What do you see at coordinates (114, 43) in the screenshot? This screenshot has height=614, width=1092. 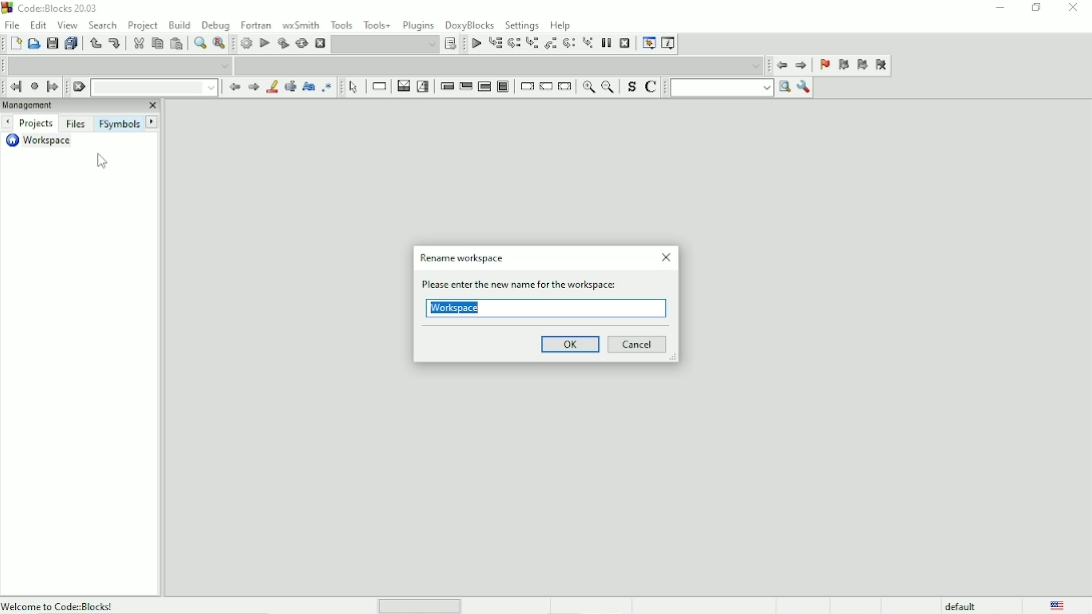 I see `Redo` at bounding box center [114, 43].